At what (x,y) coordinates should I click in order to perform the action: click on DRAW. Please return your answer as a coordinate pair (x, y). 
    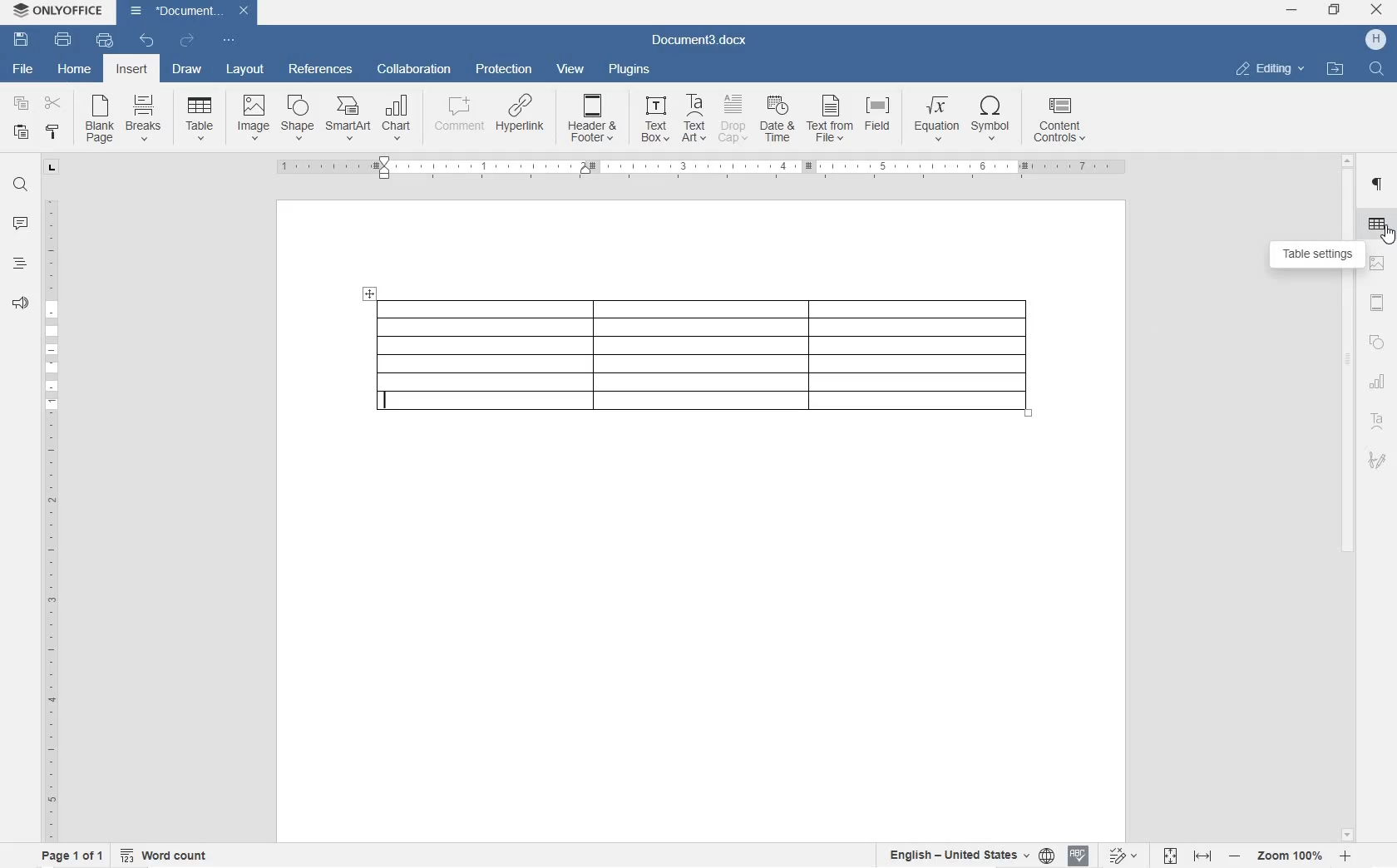
    Looking at the image, I should click on (186, 71).